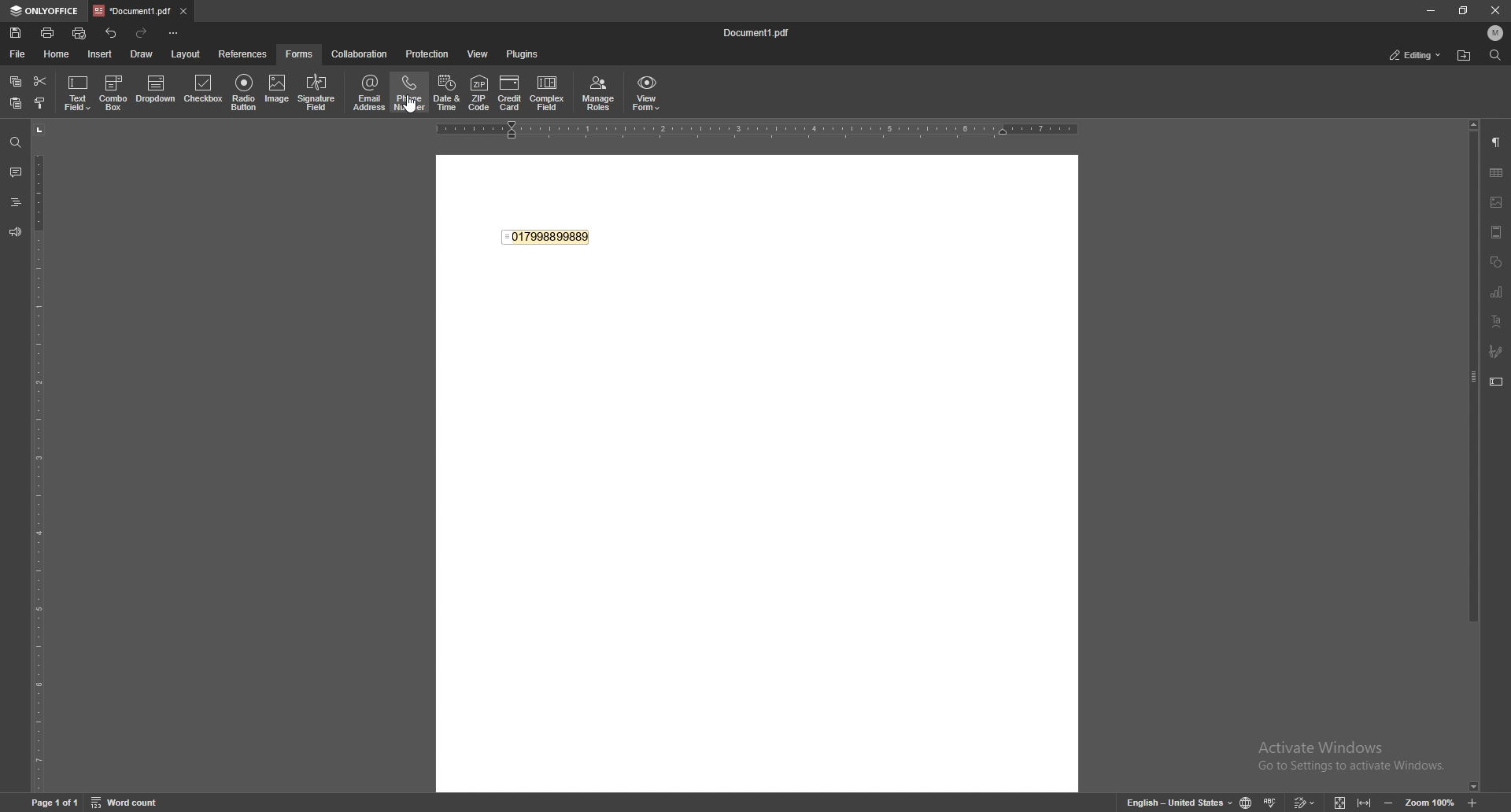  I want to click on resize, so click(1465, 11).